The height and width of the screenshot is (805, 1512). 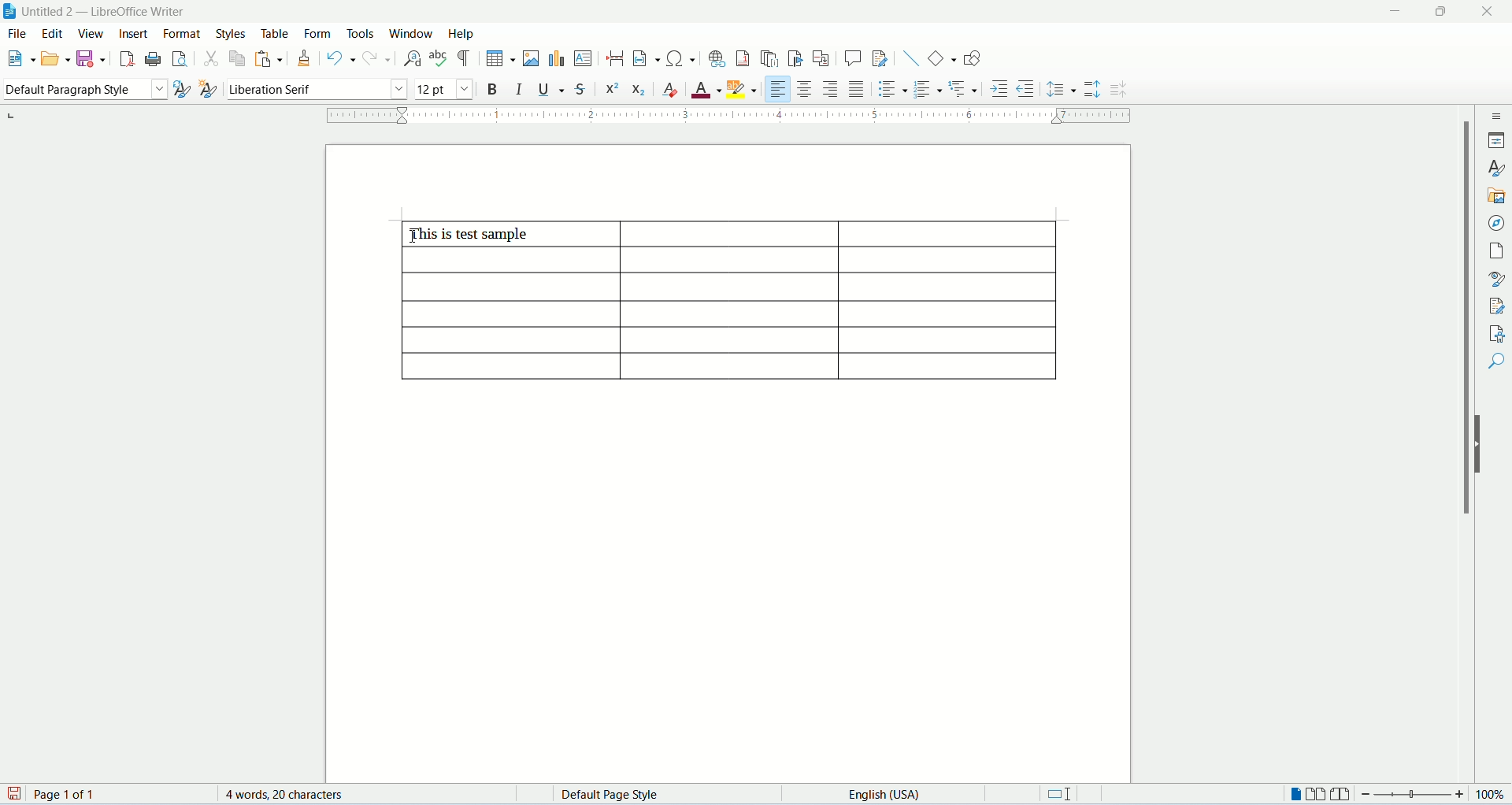 I want to click on ruler, so click(x=728, y=115).